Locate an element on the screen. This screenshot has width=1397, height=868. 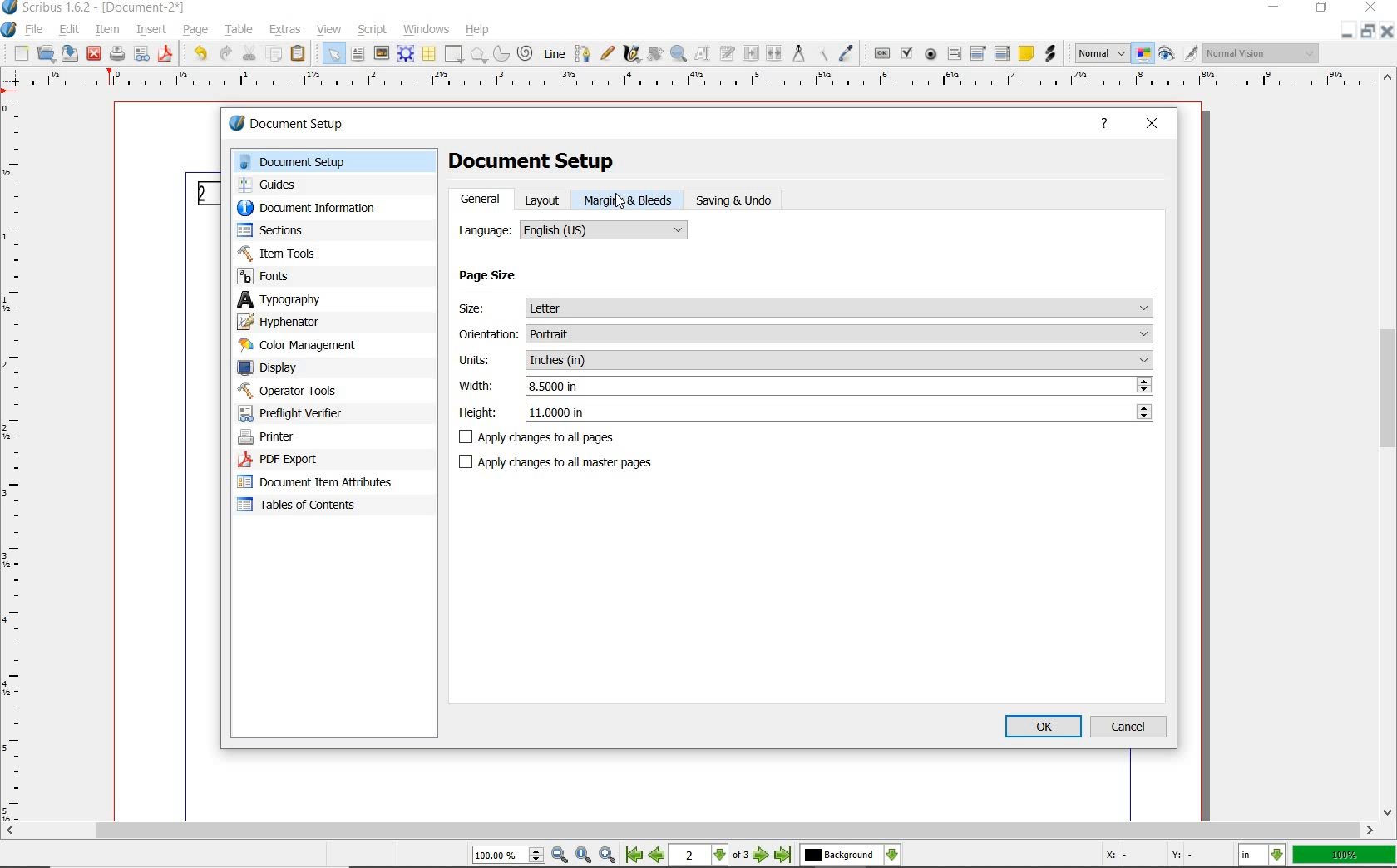
orientation: portrait is located at coordinates (804, 334).